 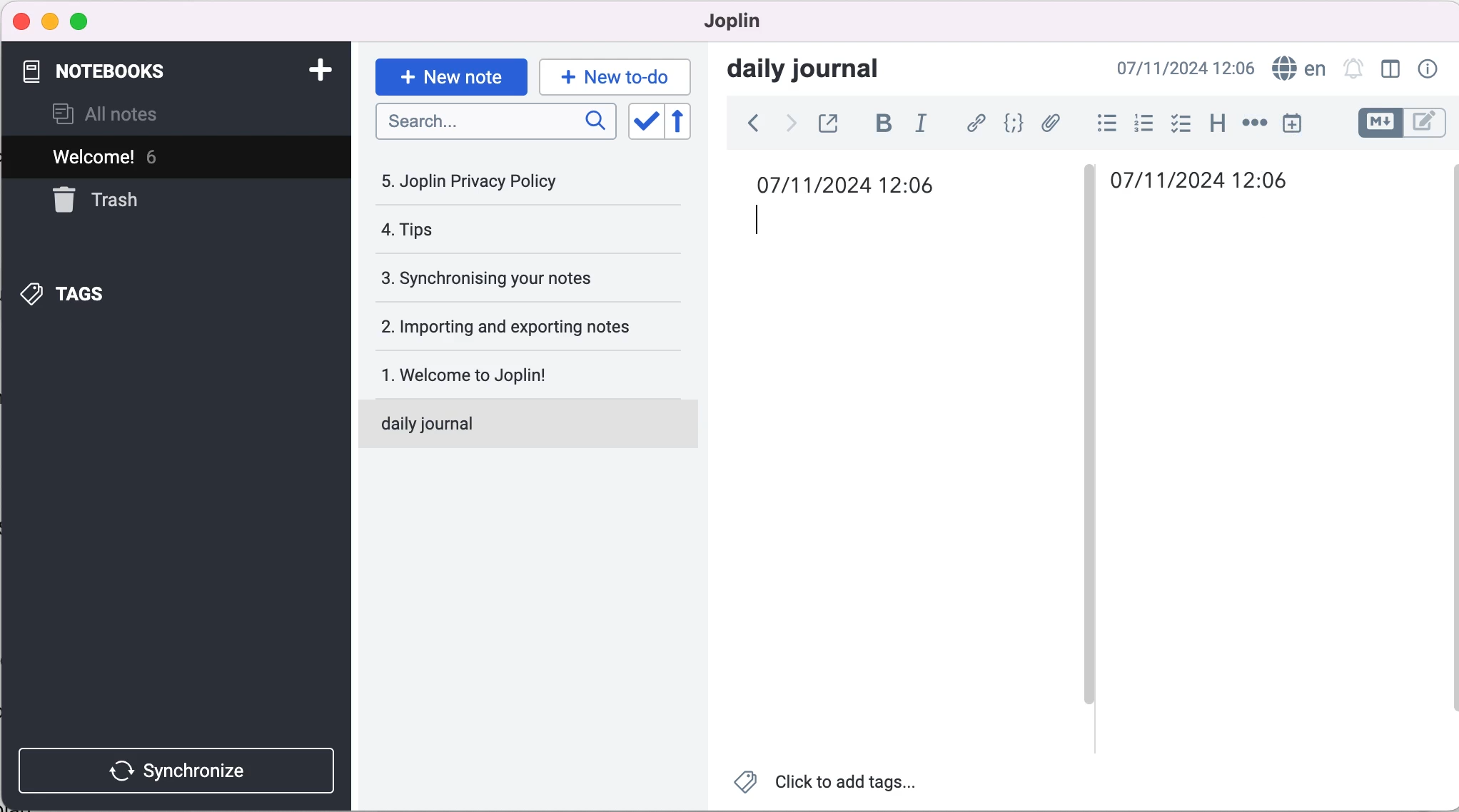 I want to click on tags, so click(x=91, y=290).